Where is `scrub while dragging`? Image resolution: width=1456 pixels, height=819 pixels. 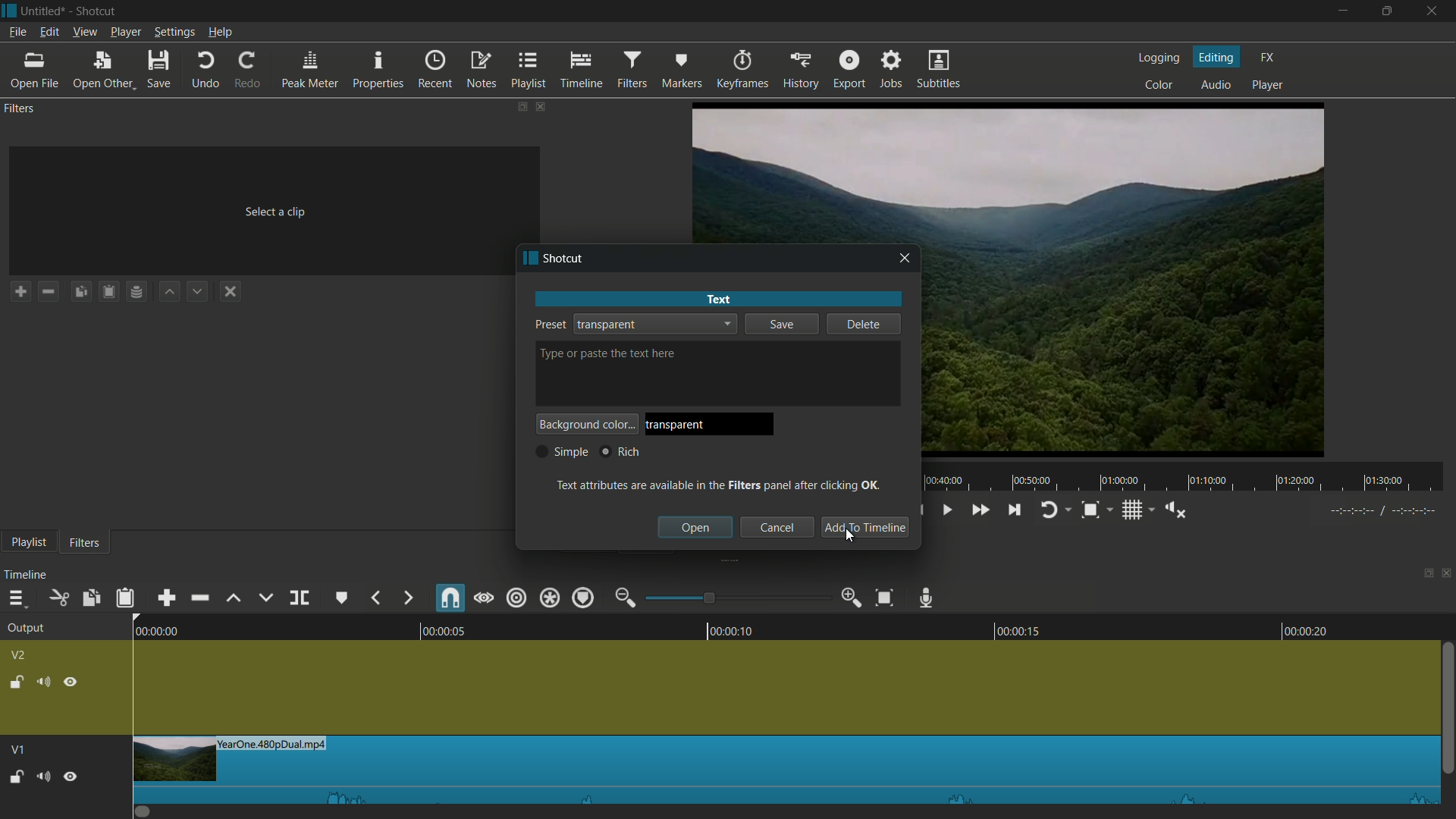
scrub while dragging is located at coordinates (485, 598).